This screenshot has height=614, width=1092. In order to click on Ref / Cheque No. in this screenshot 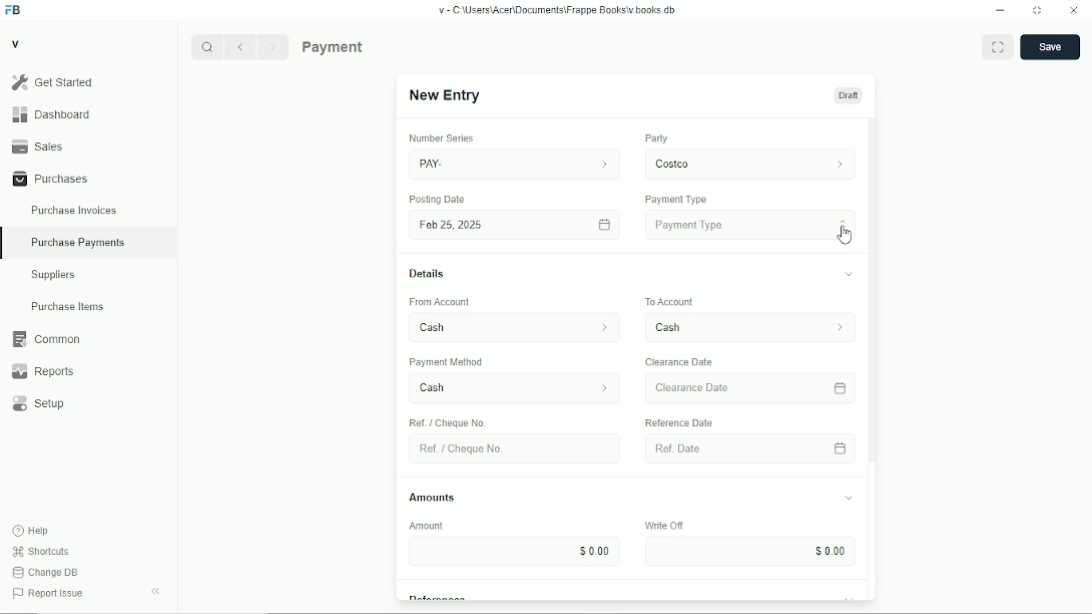, I will do `click(450, 422)`.